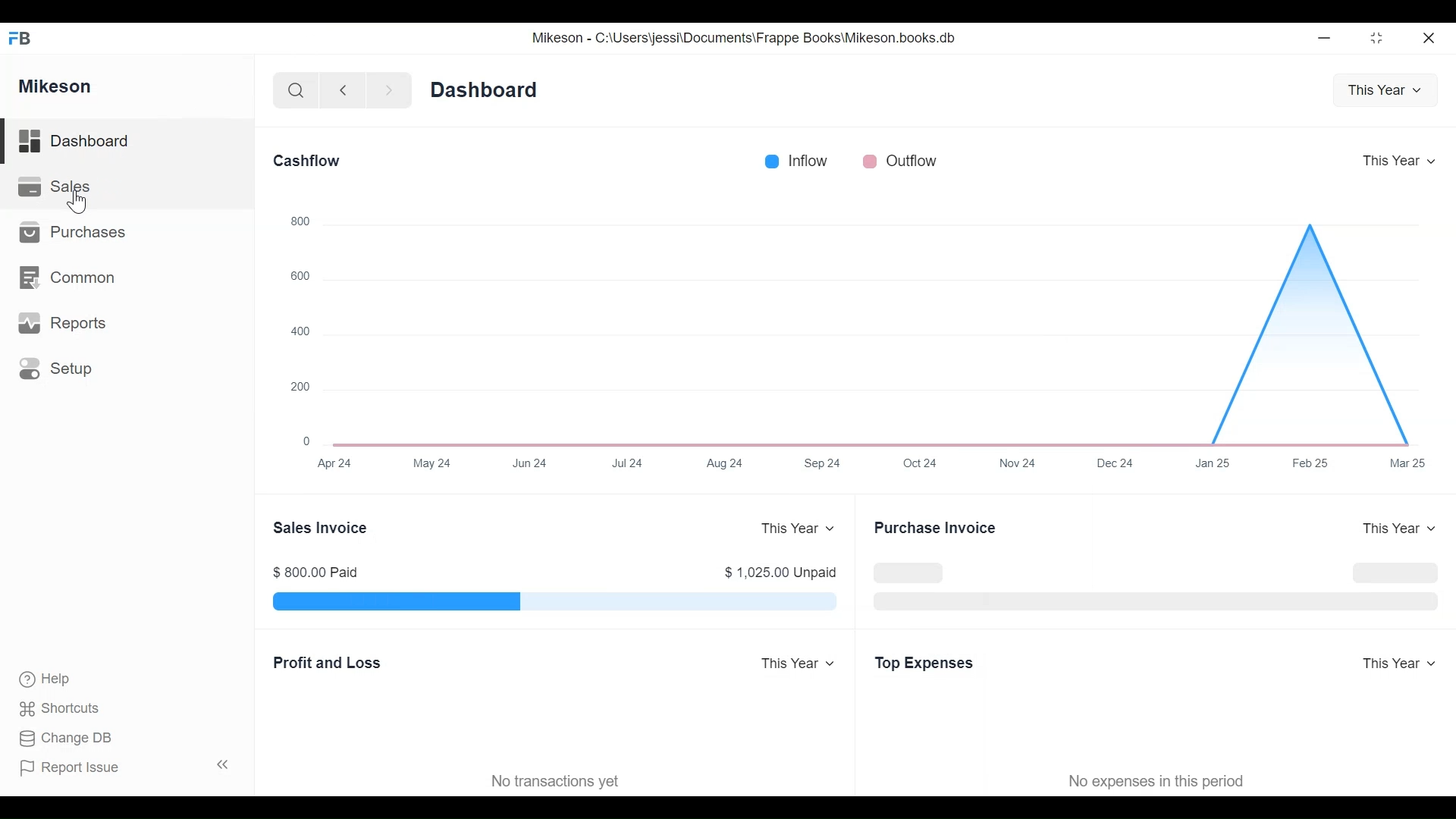  Describe the element at coordinates (795, 528) in the screenshot. I see `This year` at that location.